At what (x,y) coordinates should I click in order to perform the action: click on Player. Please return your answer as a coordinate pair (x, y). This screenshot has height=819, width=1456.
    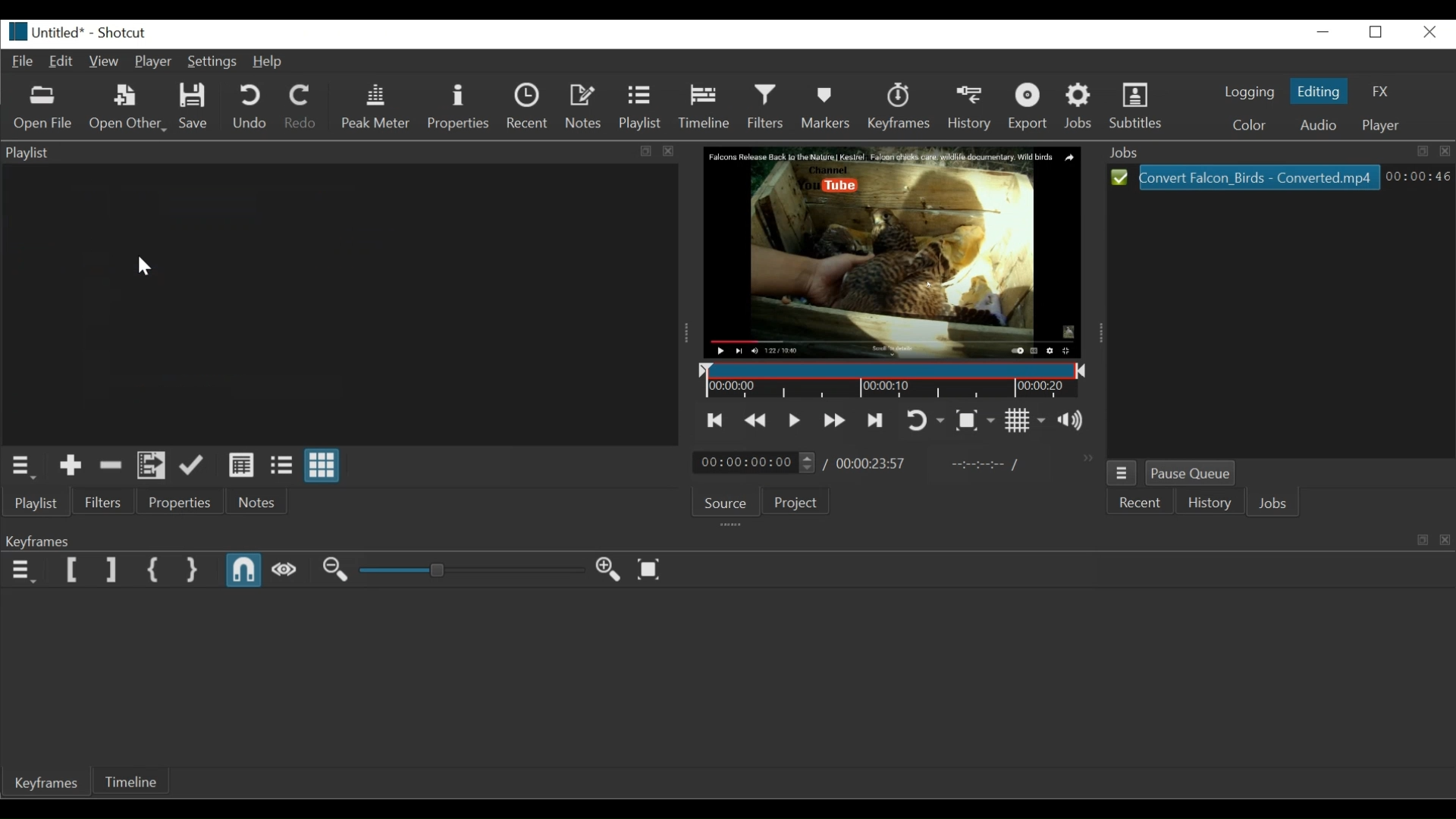
    Looking at the image, I should click on (1381, 127).